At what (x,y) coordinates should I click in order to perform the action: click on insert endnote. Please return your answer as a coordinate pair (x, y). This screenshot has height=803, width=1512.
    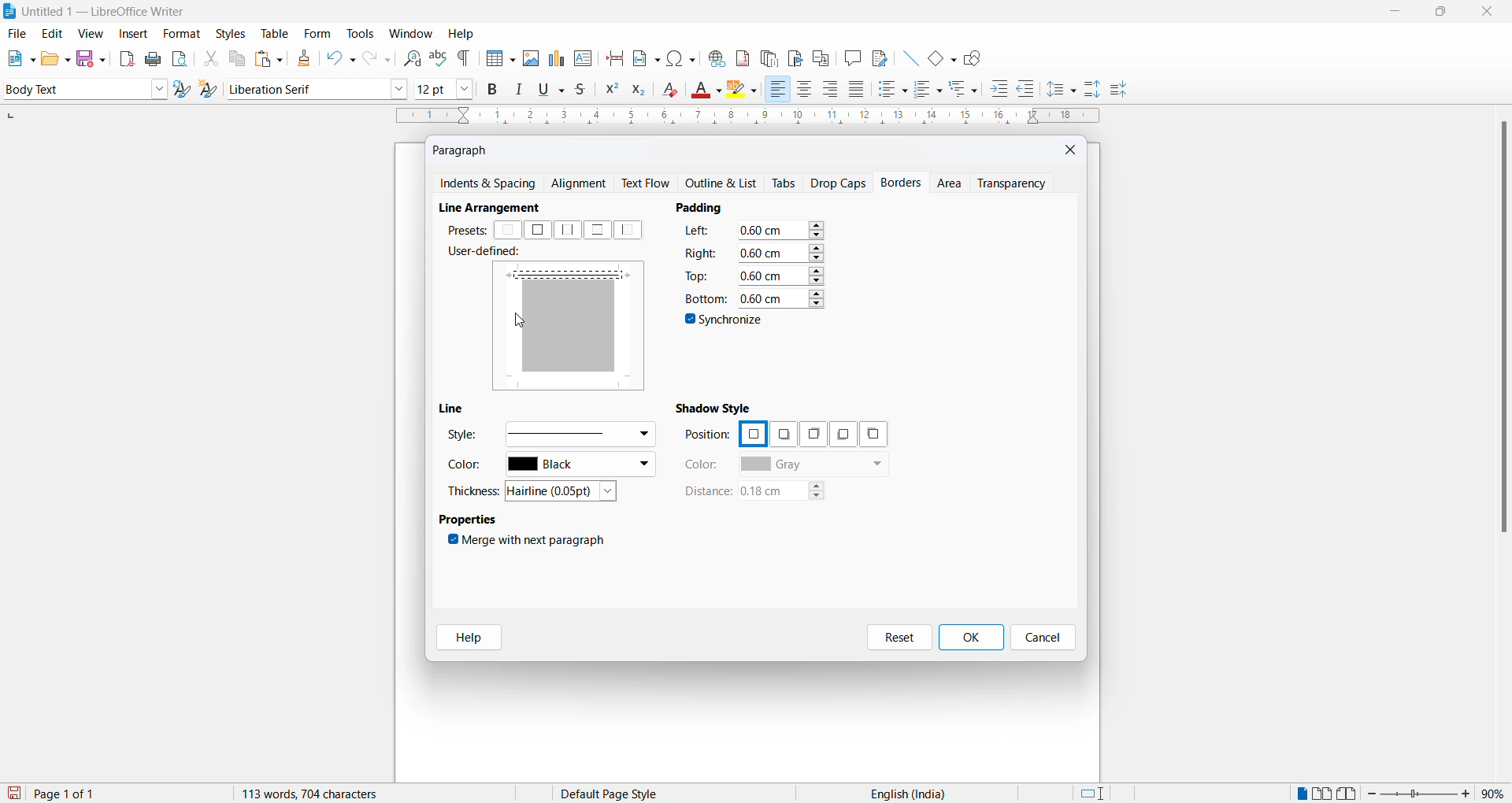
    Looking at the image, I should click on (766, 56).